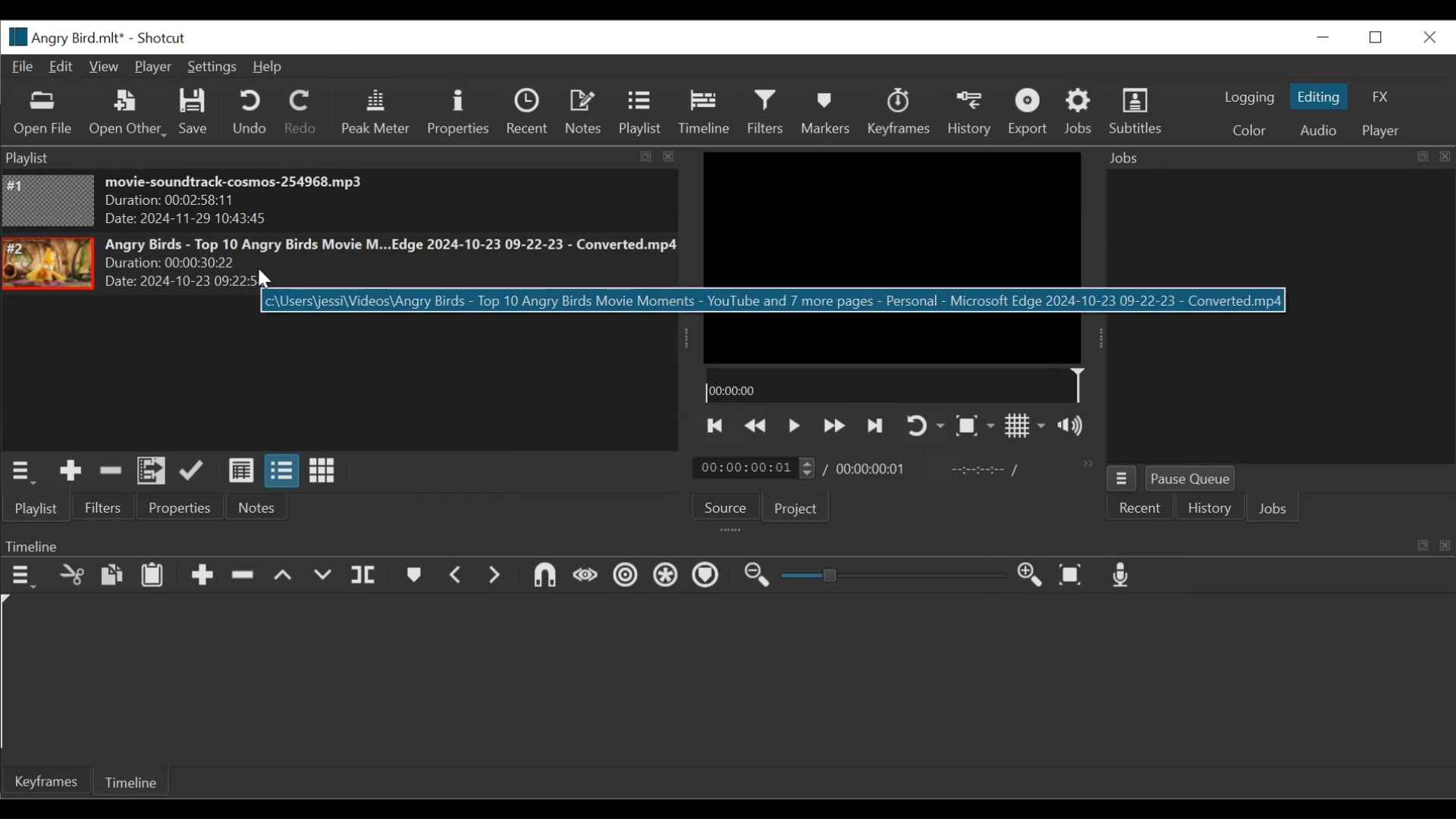 This screenshot has height=819, width=1456. Describe the element at coordinates (285, 576) in the screenshot. I see `Lift` at that location.